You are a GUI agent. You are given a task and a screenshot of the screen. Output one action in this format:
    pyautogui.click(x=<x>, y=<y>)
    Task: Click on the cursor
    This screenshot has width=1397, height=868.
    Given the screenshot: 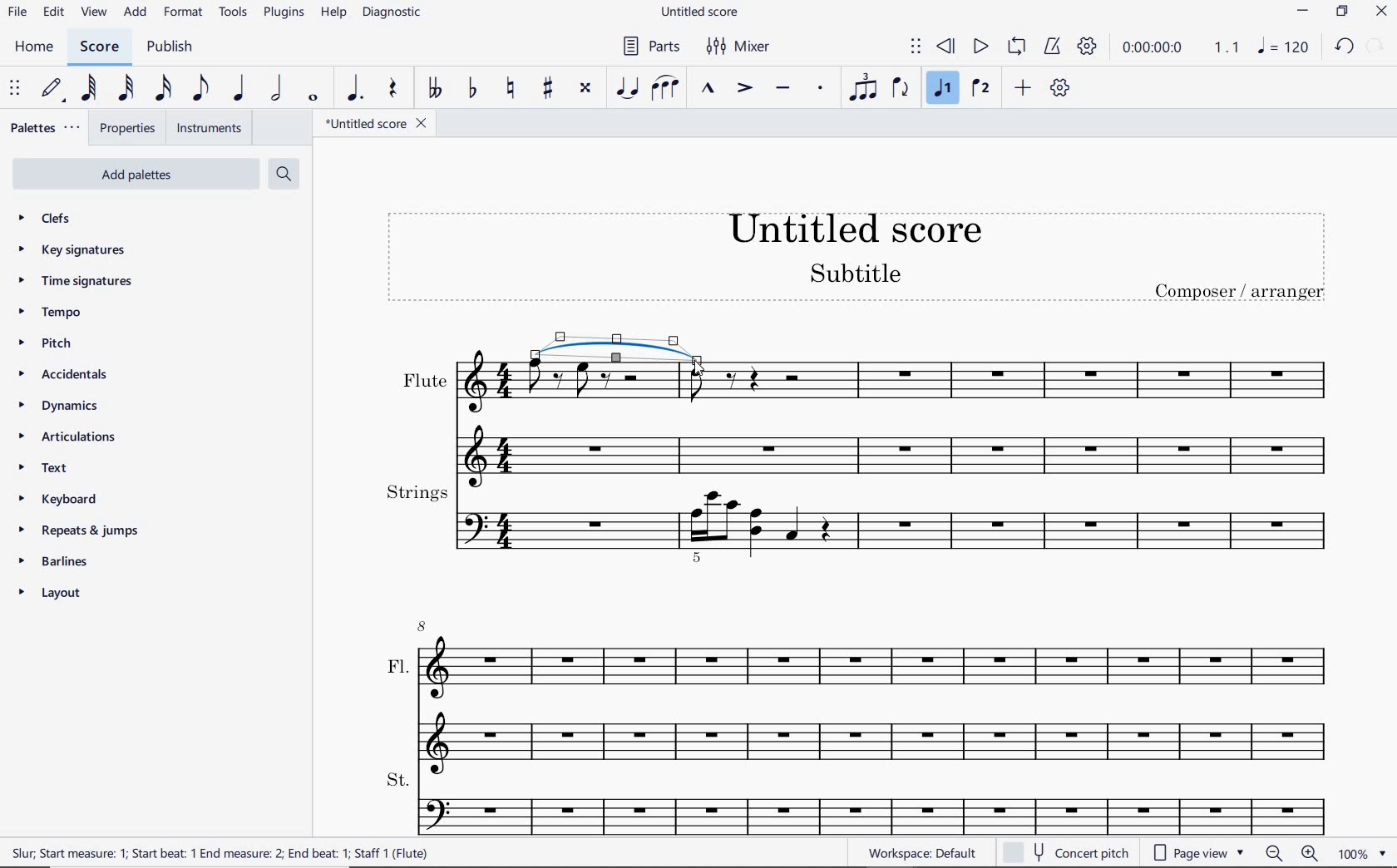 What is the action you would take?
    pyautogui.click(x=699, y=368)
    